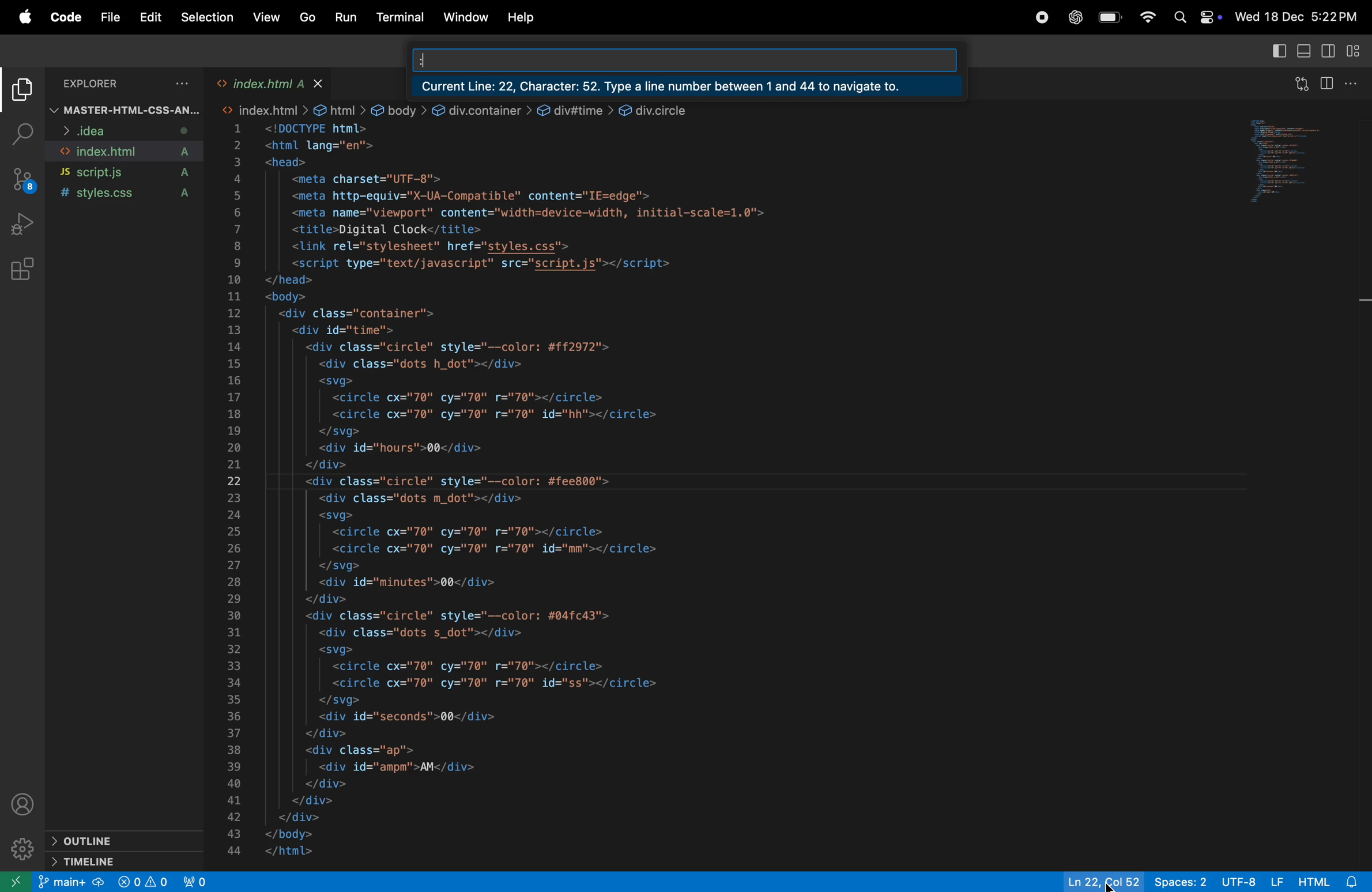 The width and height of the screenshot is (1372, 892). Describe the element at coordinates (1108, 18) in the screenshot. I see `battery` at that location.